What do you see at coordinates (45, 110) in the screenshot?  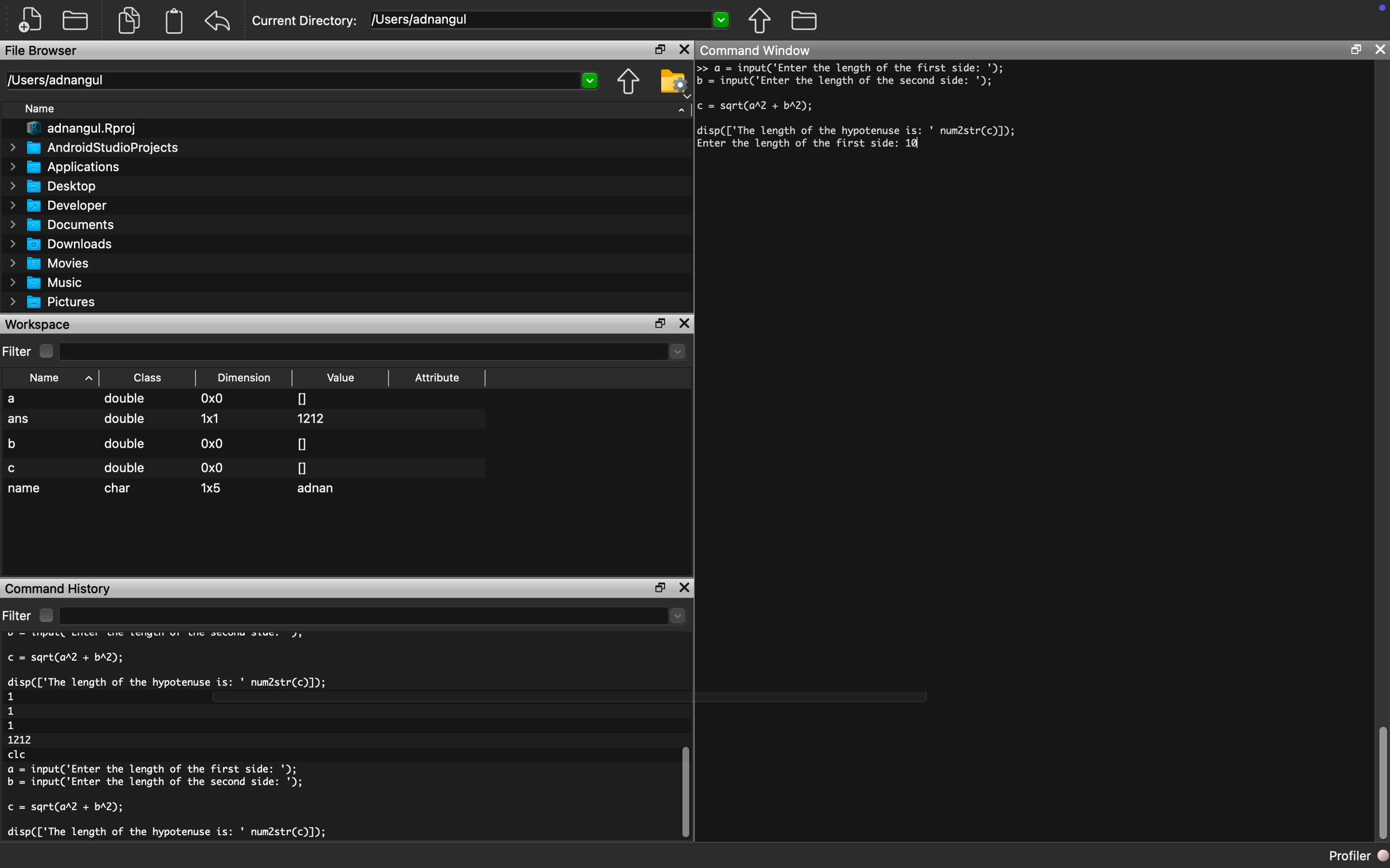 I see `Name` at bounding box center [45, 110].